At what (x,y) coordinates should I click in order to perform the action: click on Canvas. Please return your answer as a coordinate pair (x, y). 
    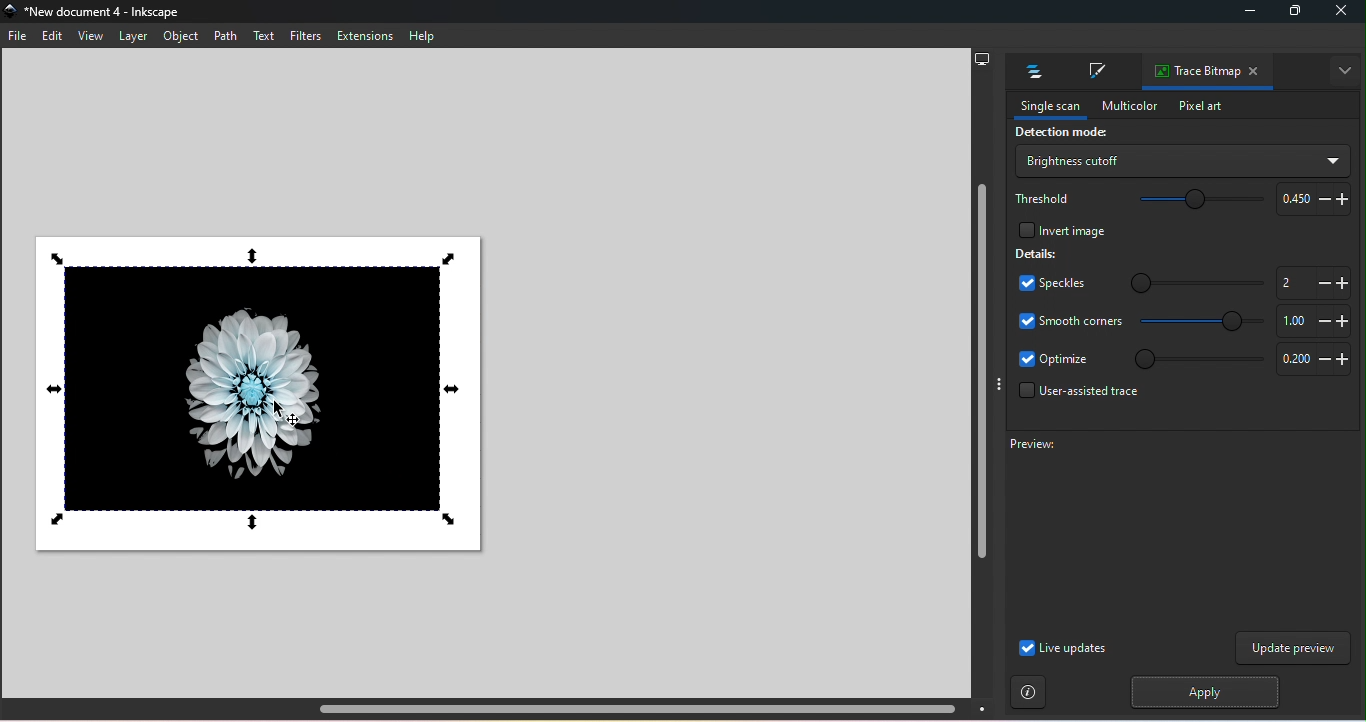
    Looking at the image, I should click on (259, 391).